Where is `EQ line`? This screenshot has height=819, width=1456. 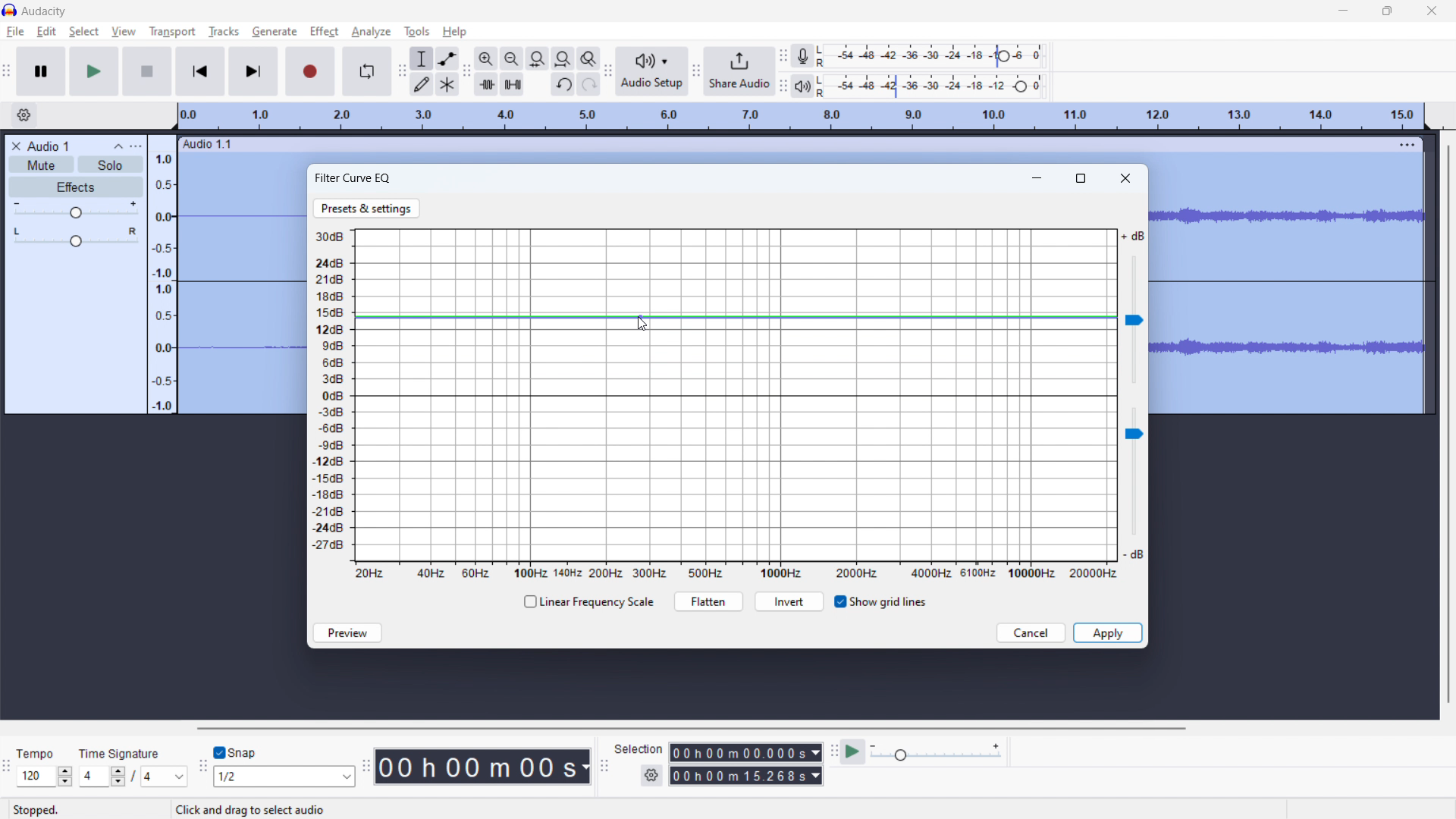 EQ line is located at coordinates (735, 396).